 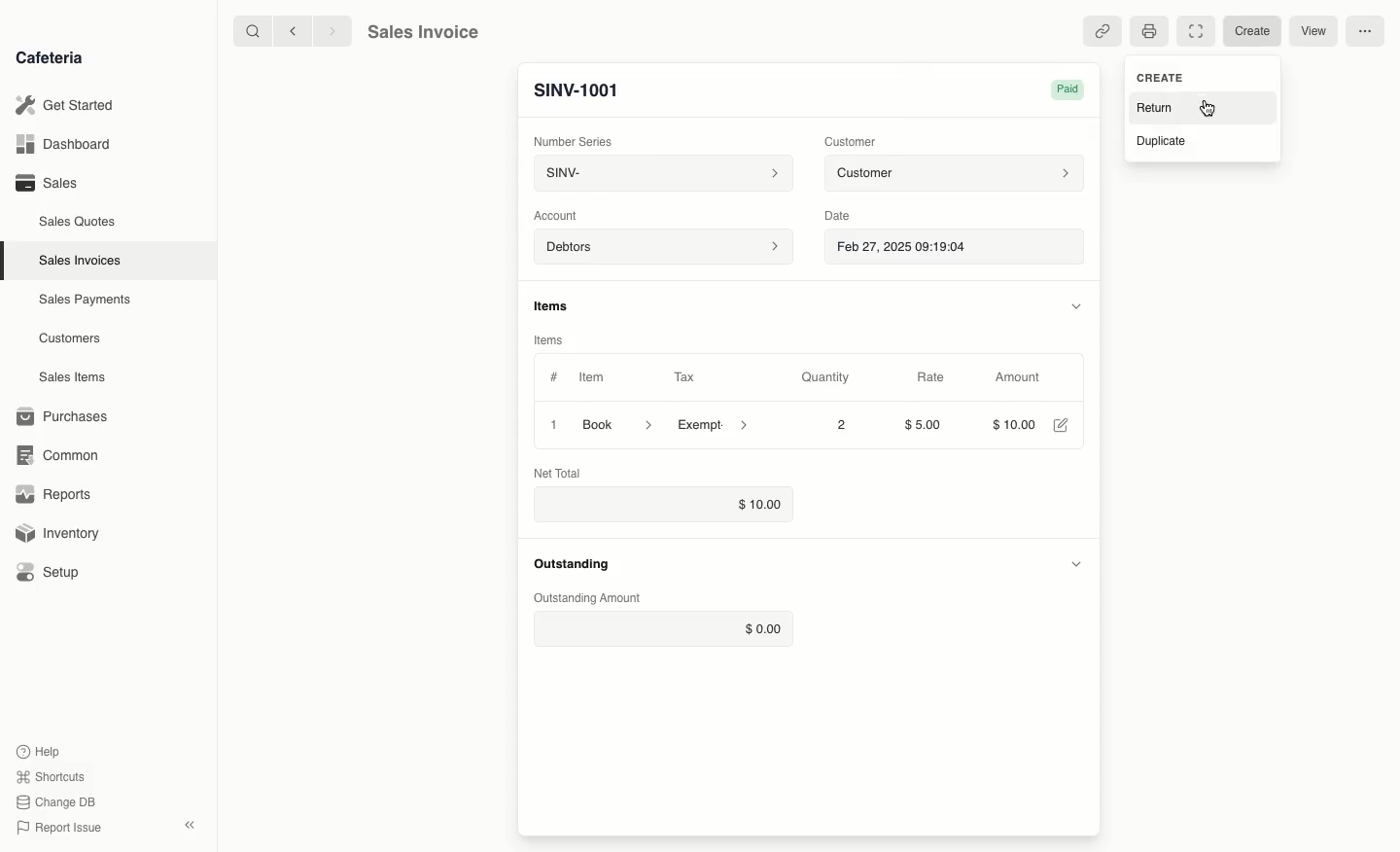 I want to click on Customers, so click(x=70, y=339).